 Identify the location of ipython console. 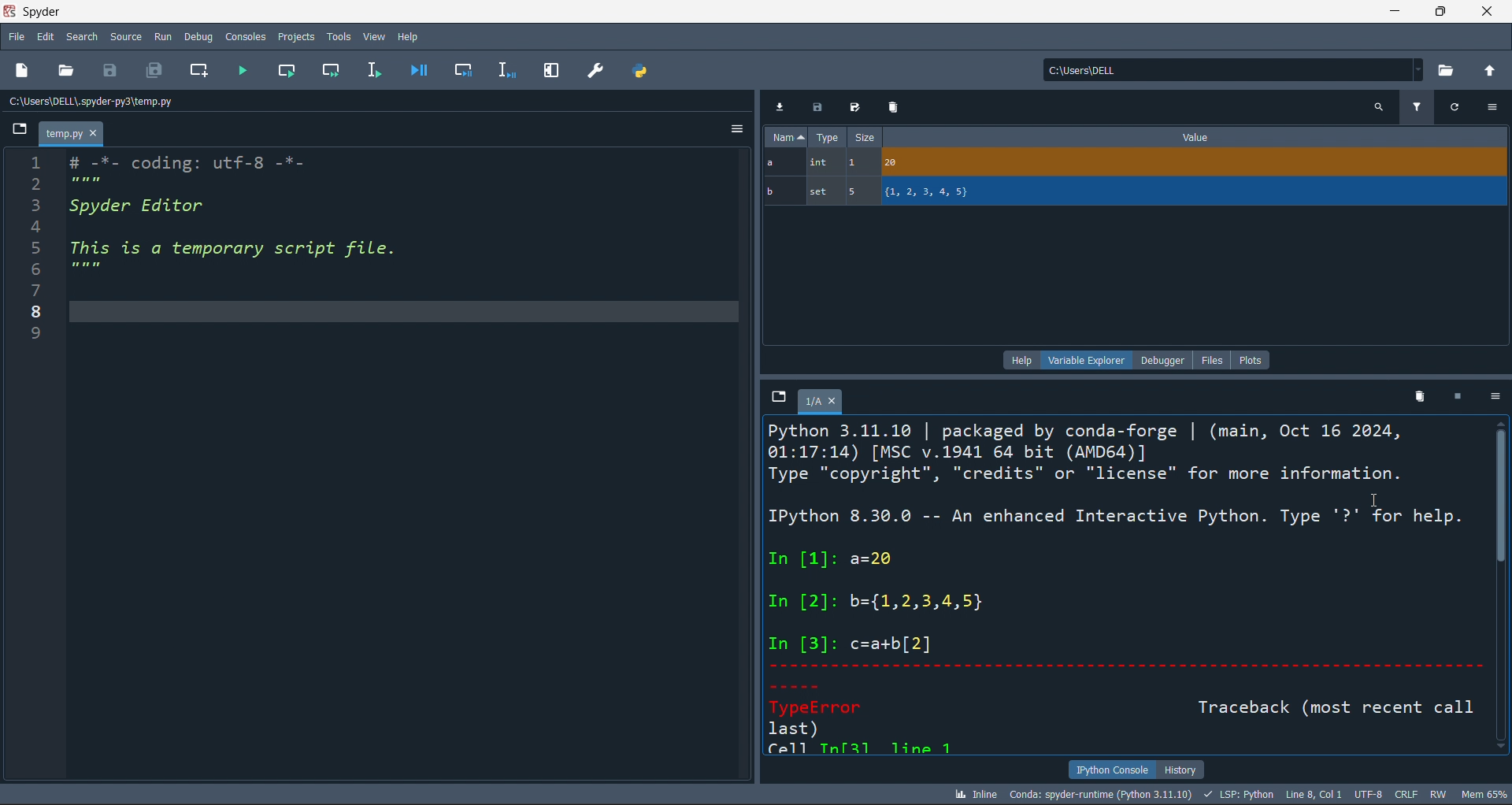
(1108, 770).